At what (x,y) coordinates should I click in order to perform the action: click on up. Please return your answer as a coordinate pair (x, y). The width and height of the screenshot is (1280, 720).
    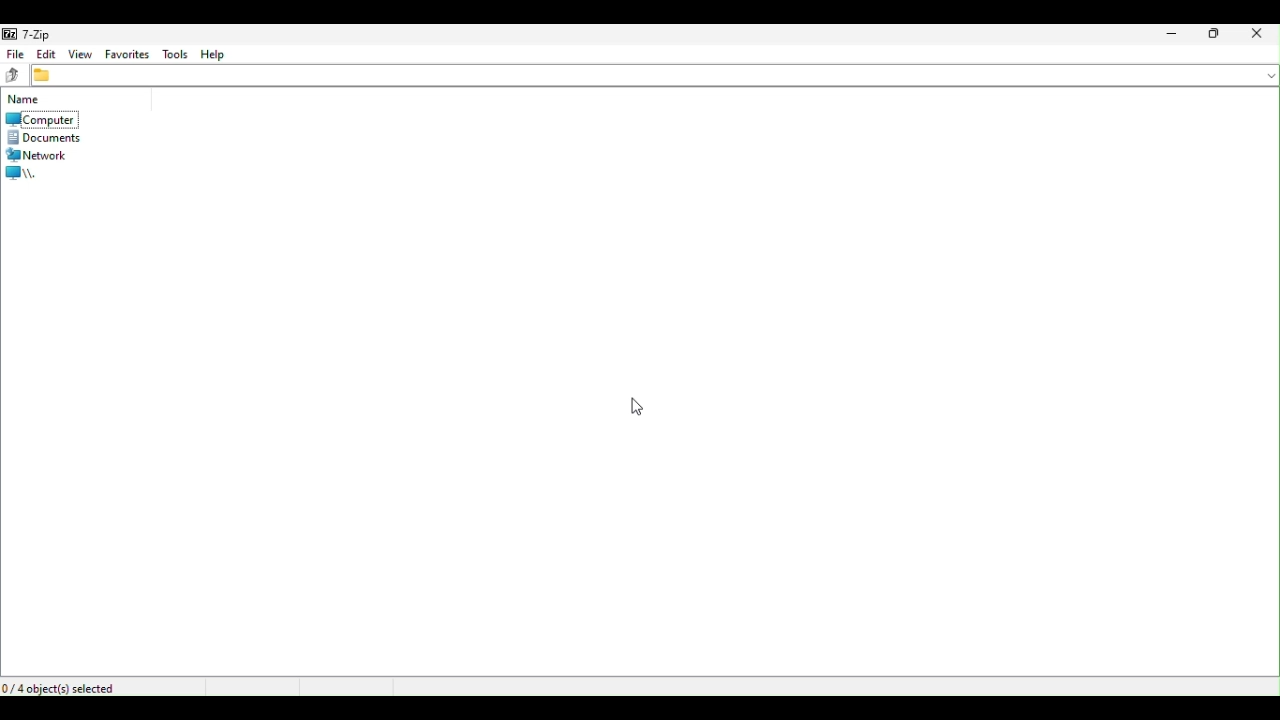
    Looking at the image, I should click on (10, 75).